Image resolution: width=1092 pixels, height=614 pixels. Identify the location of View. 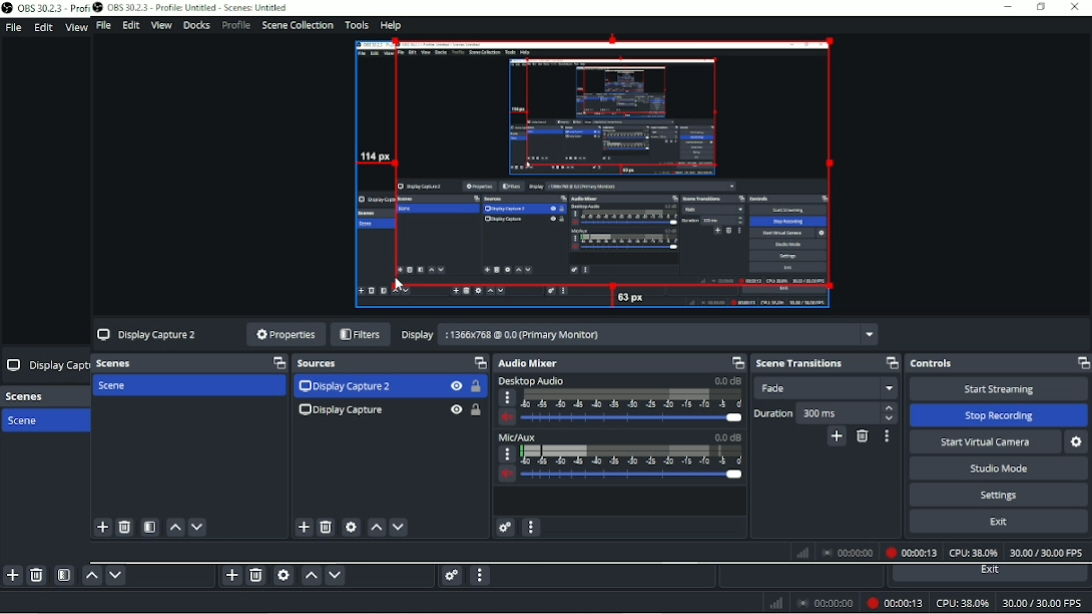
(75, 26).